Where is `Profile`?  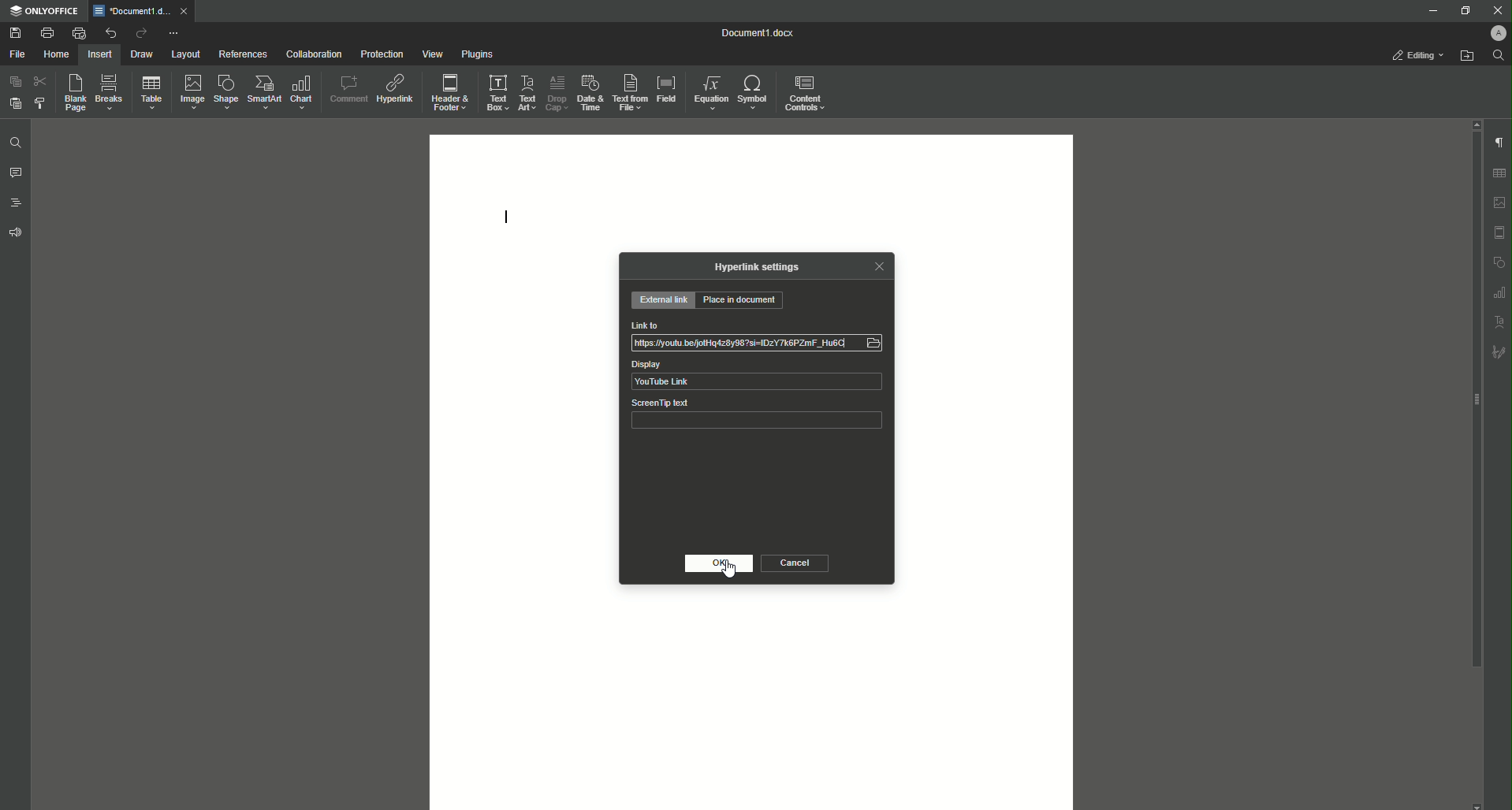 Profile is located at coordinates (1492, 33).